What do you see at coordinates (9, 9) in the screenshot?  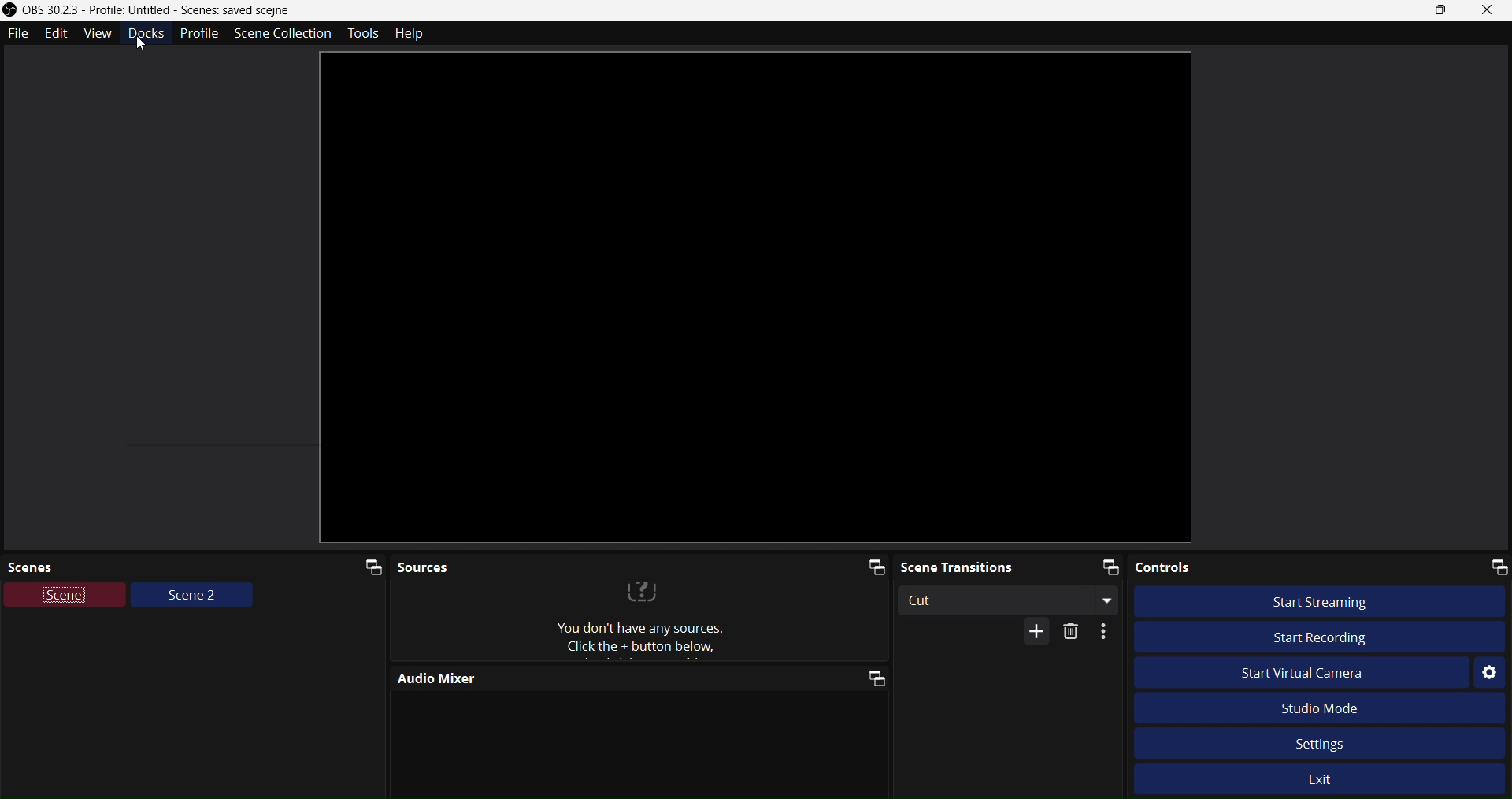 I see `OBS studio logo` at bounding box center [9, 9].